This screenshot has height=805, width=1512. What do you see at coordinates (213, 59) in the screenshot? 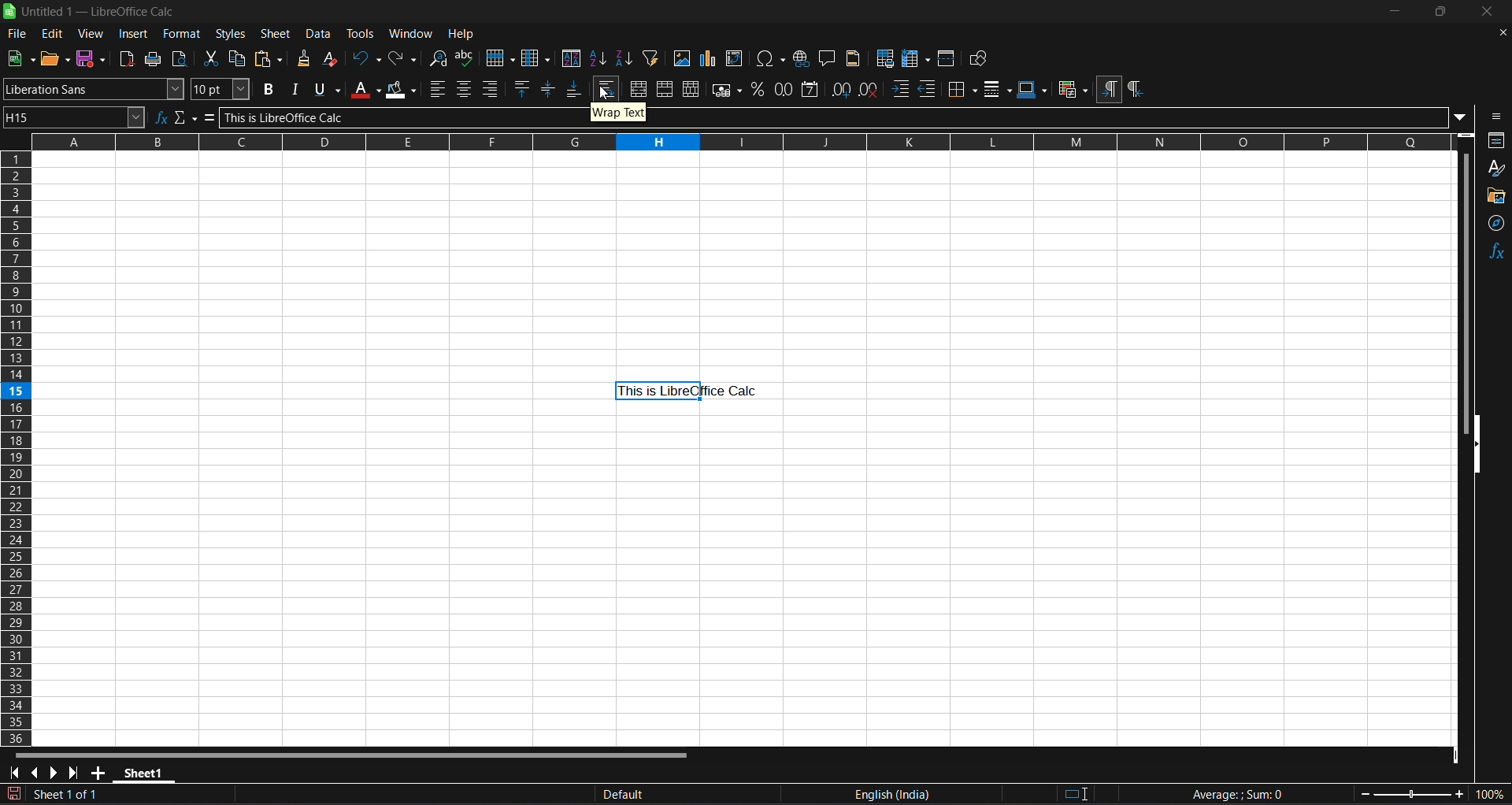
I see `cut` at bounding box center [213, 59].